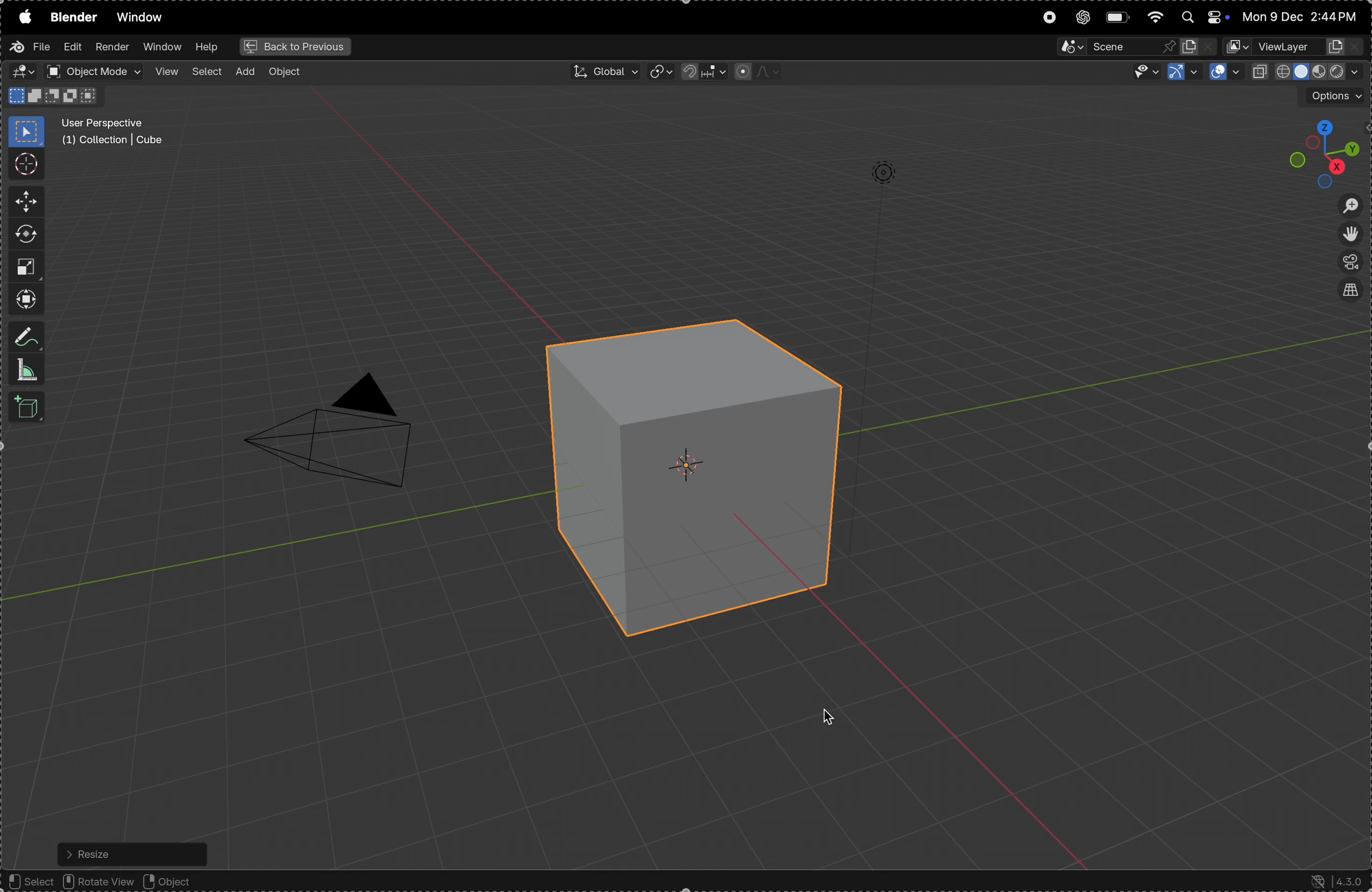  I want to click on apple widgets, so click(1201, 18).